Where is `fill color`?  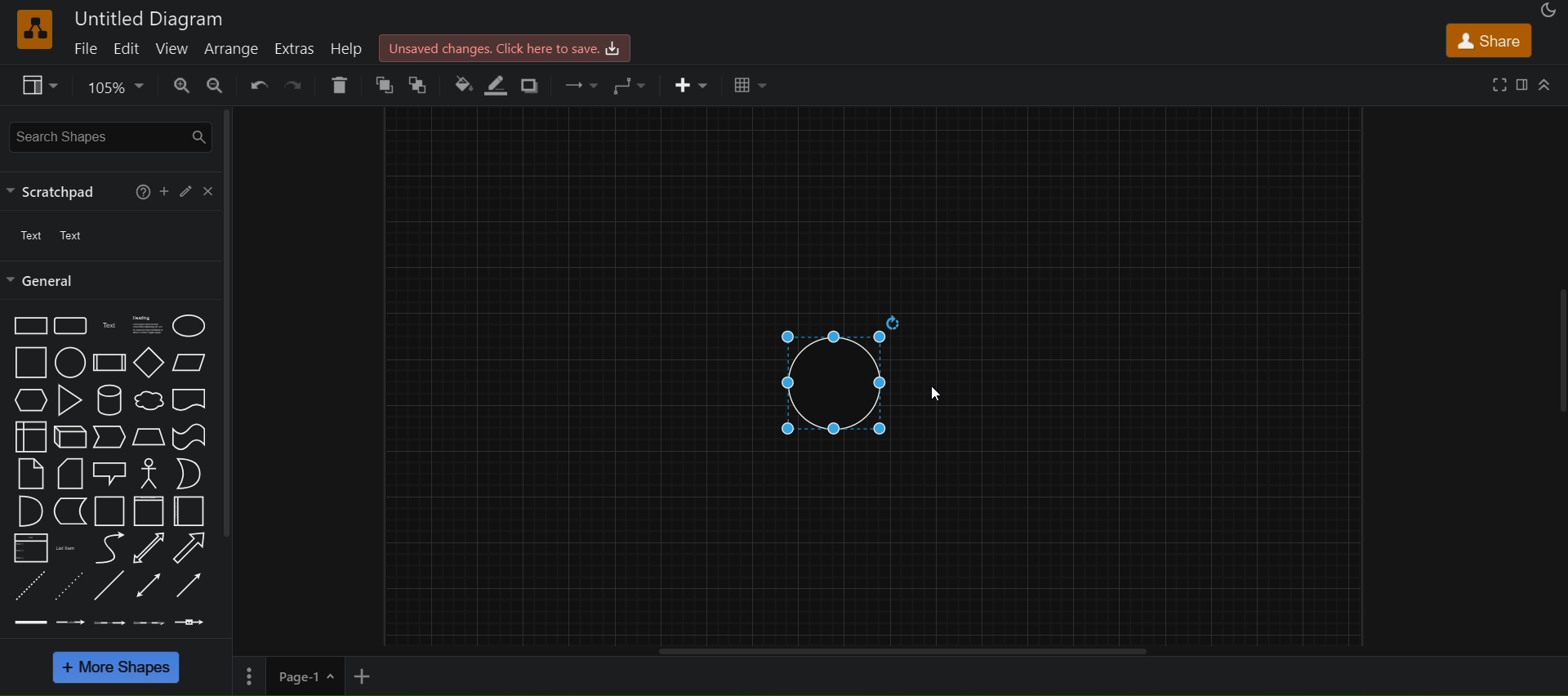
fill color is located at coordinates (462, 87).